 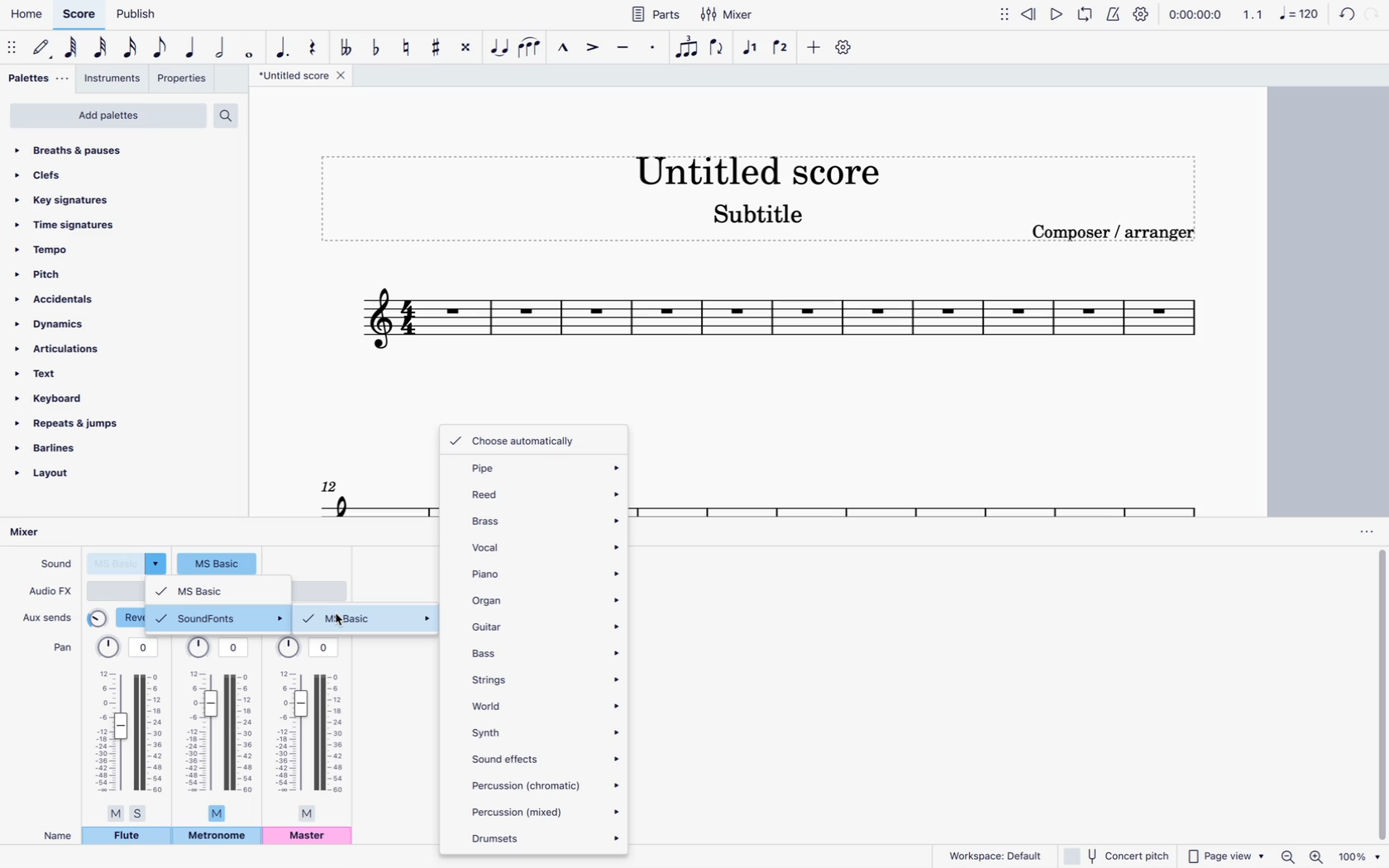 What do you see at coordinates (308, 728) in the screenshot?
I see `pan` at bounding box center [308, 728].